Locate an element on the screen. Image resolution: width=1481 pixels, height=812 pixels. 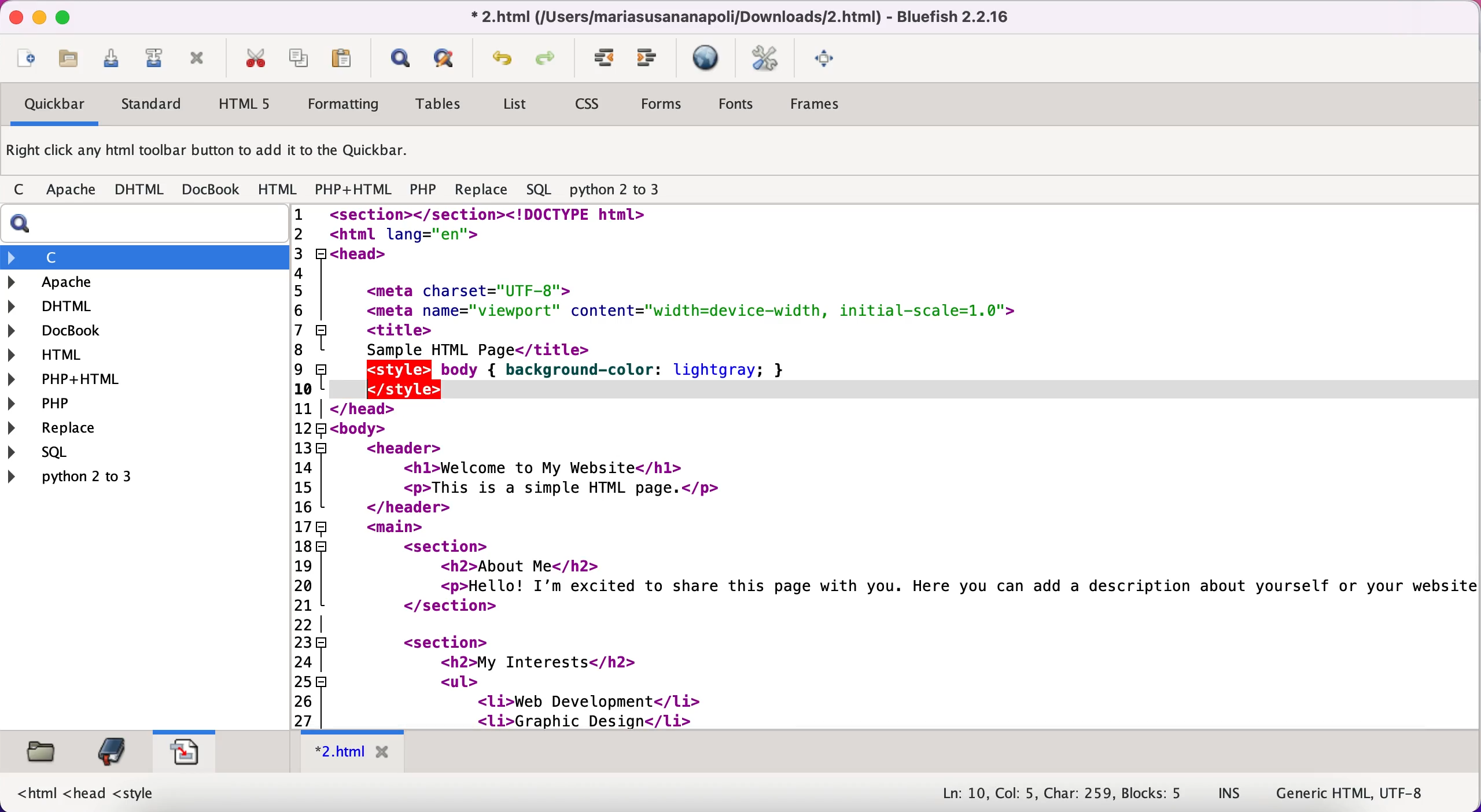
snippets is located at coordinates (184, 749).